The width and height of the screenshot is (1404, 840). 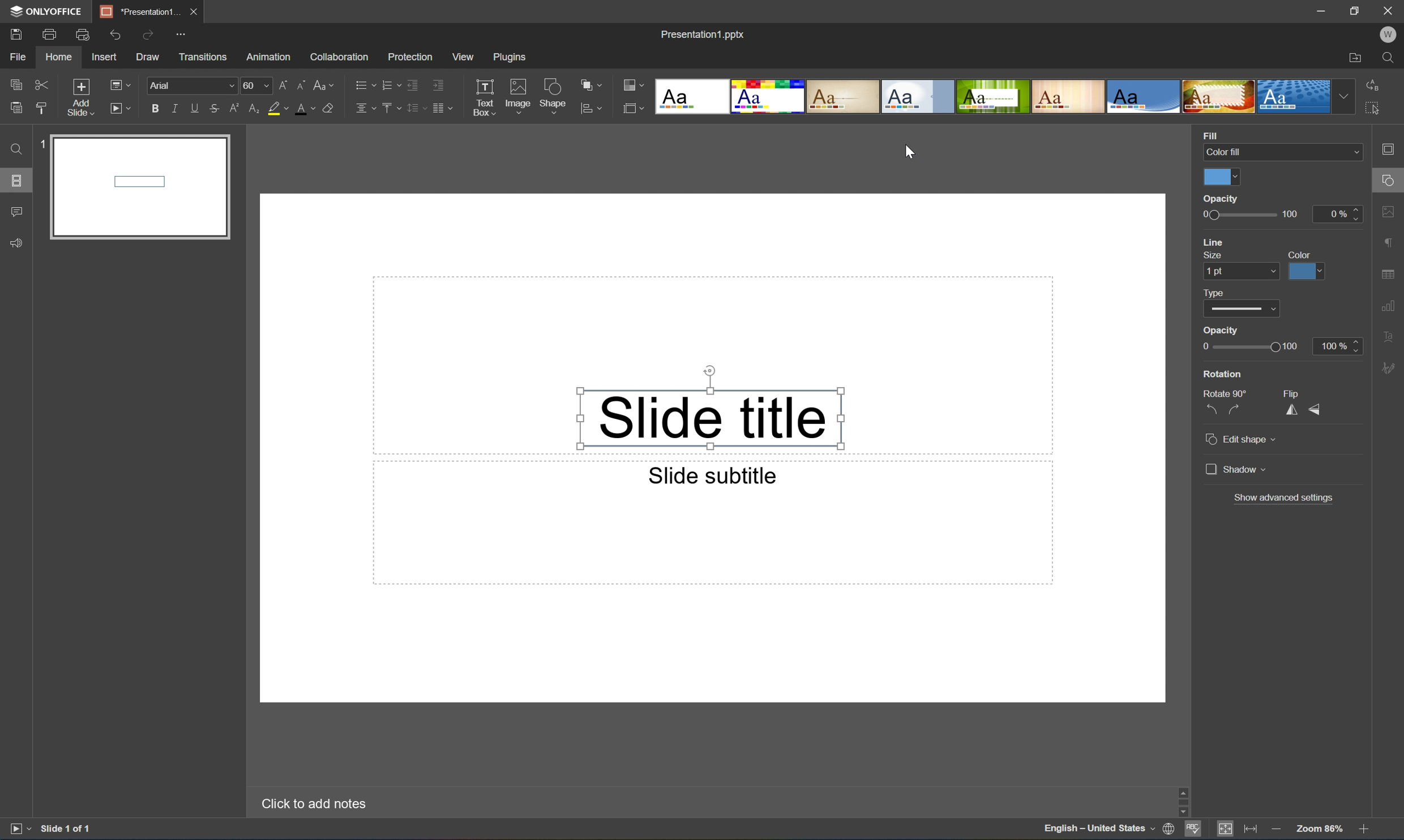 What do you see at coordinates (1214, 293) in the screenshot?
I see `Type` at bounding box center [1214, 293].